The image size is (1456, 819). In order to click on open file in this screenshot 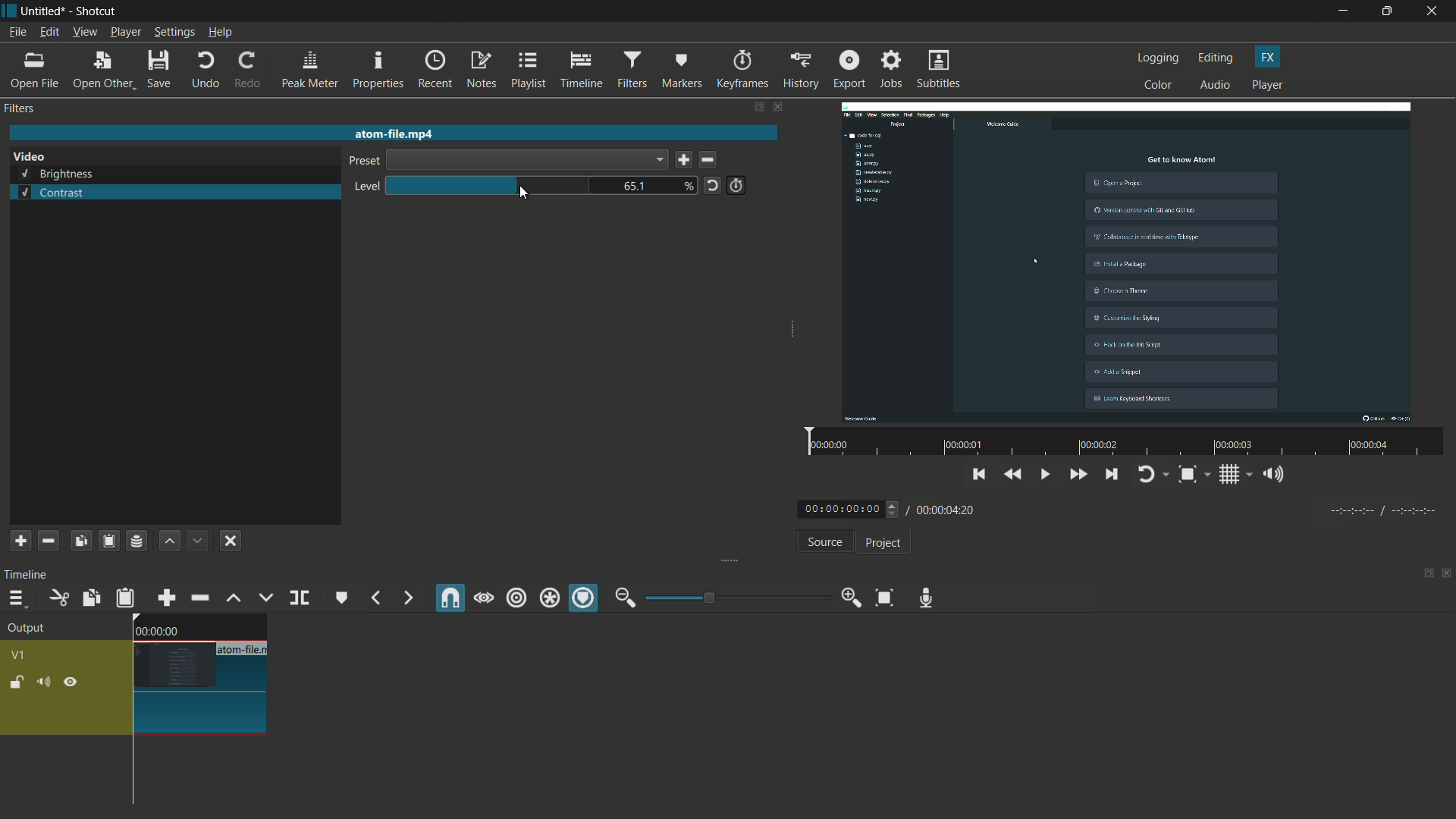, I will do `click(36, 71)`.